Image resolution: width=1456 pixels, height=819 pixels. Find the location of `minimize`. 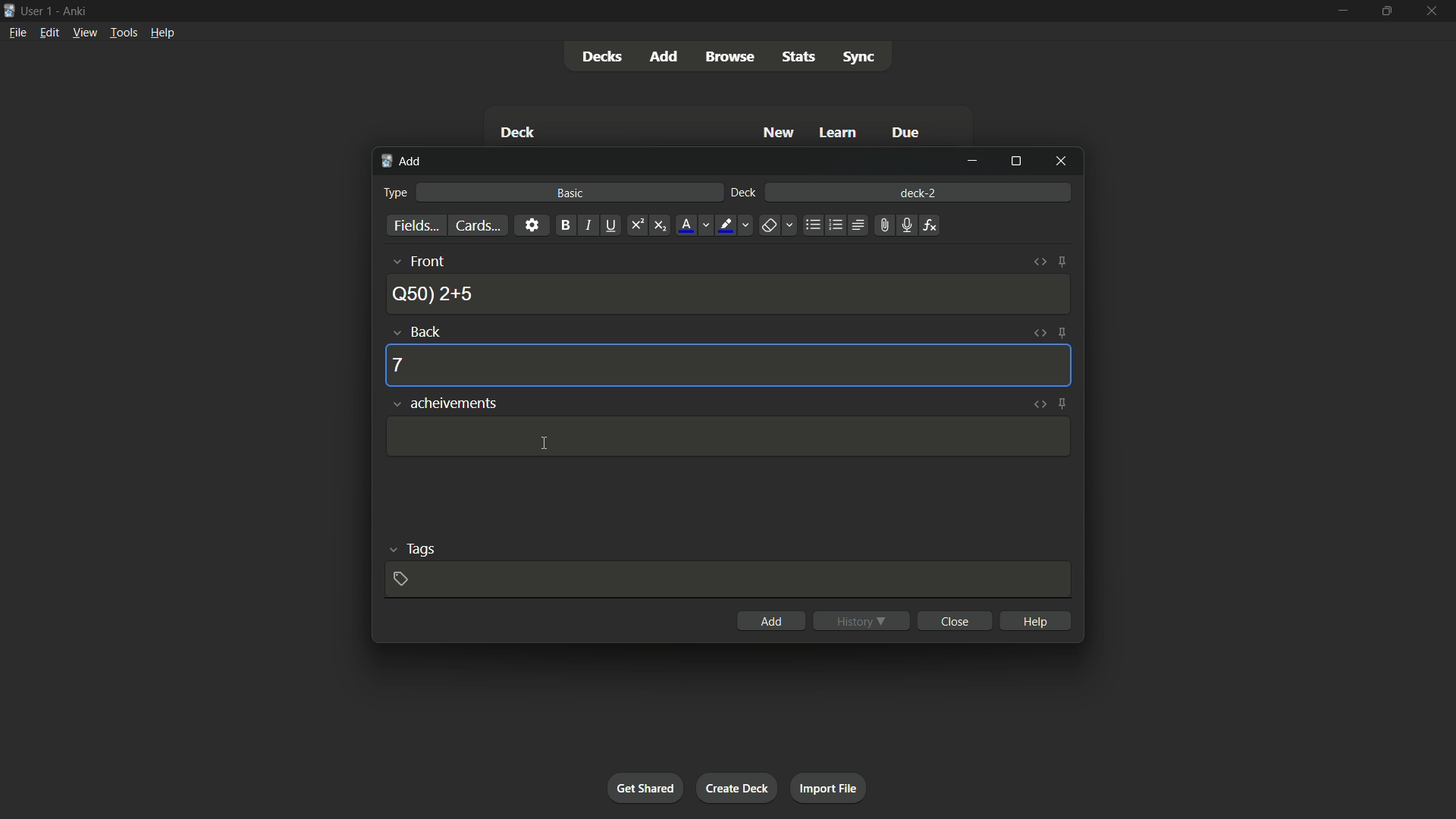

minimize is located at coordinates (972, 162).